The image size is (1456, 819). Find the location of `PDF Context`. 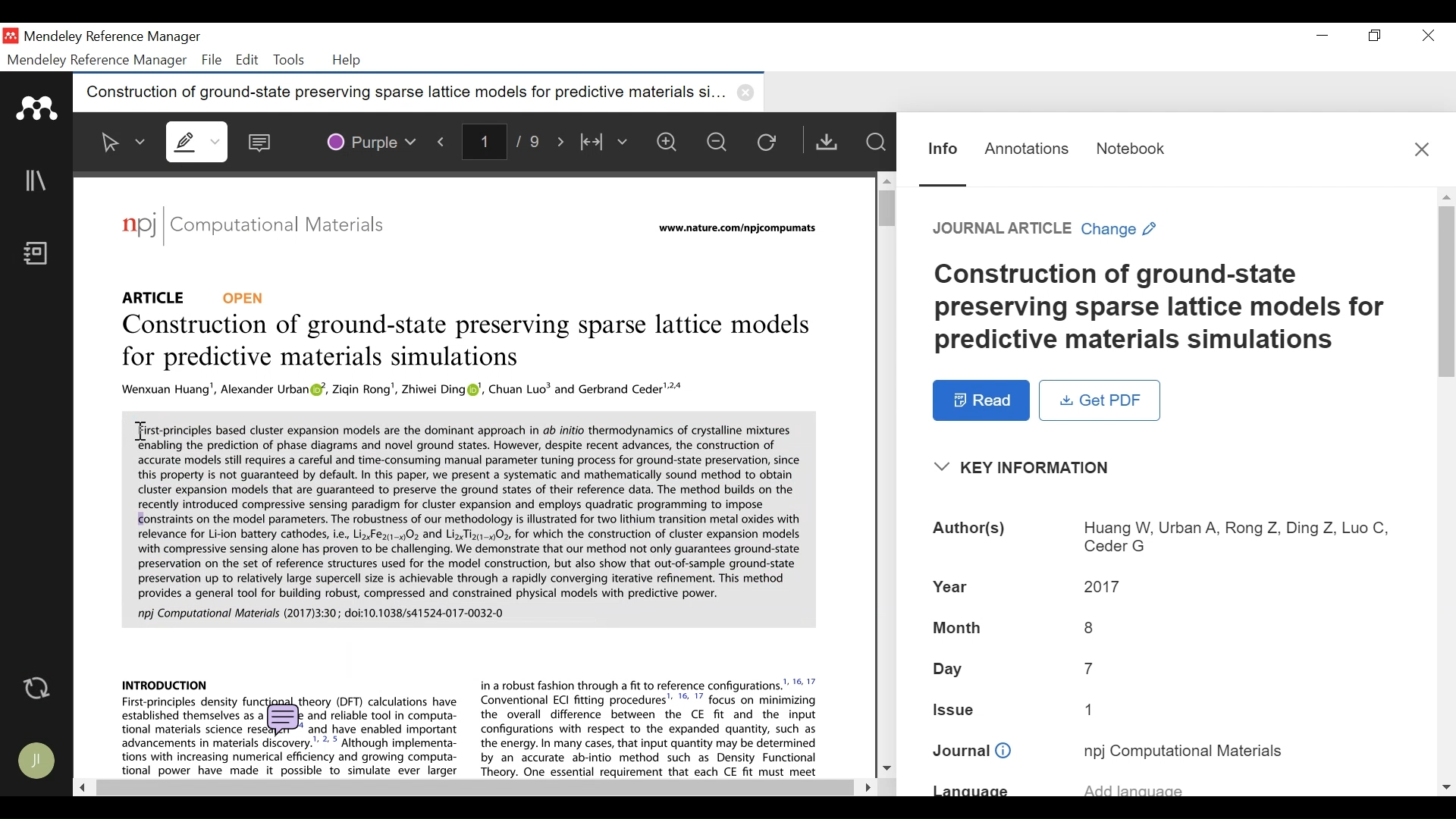

PDF Context is located at coordinates (165, 683).